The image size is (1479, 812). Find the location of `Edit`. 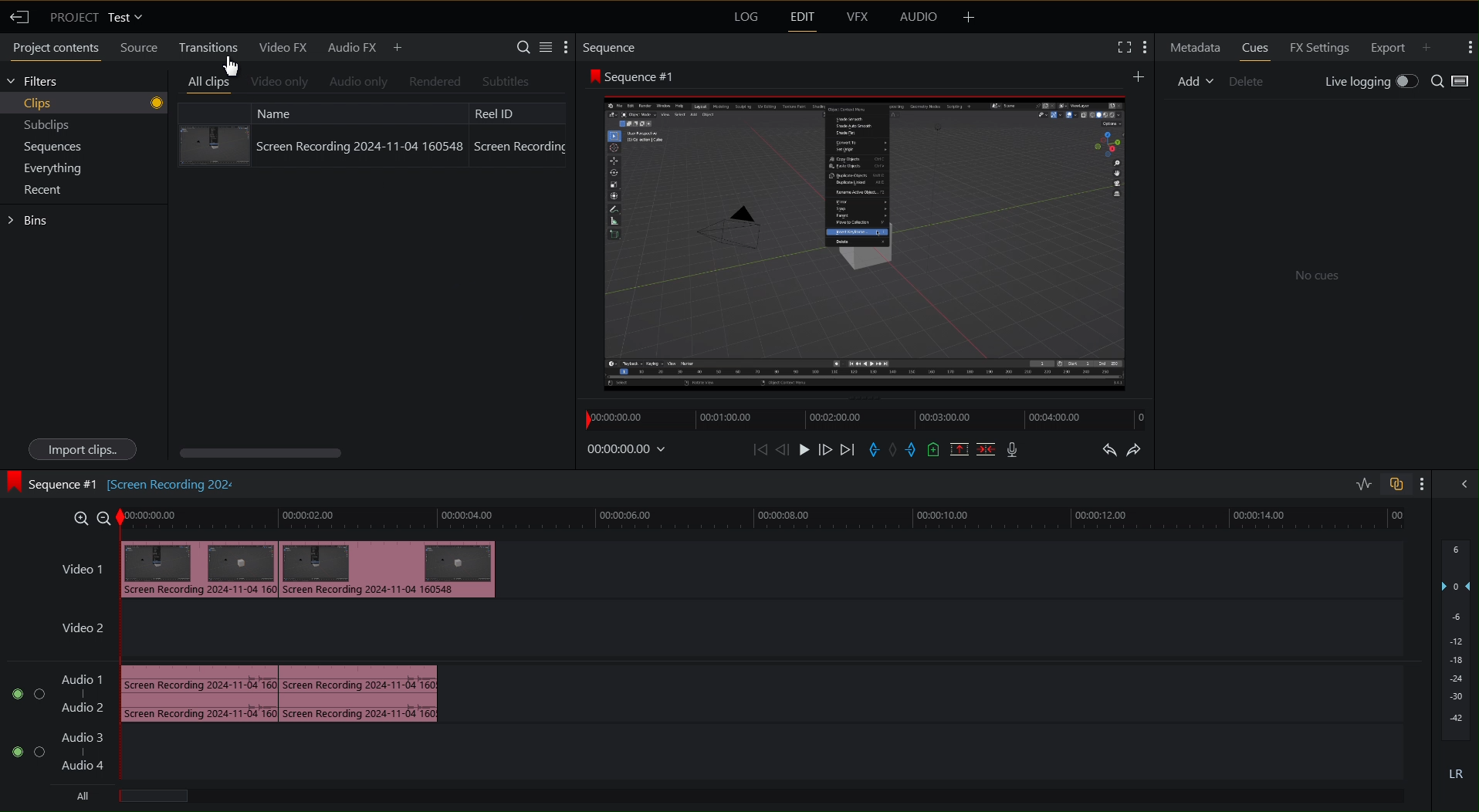

Edit is located at coordinates (800, 19).